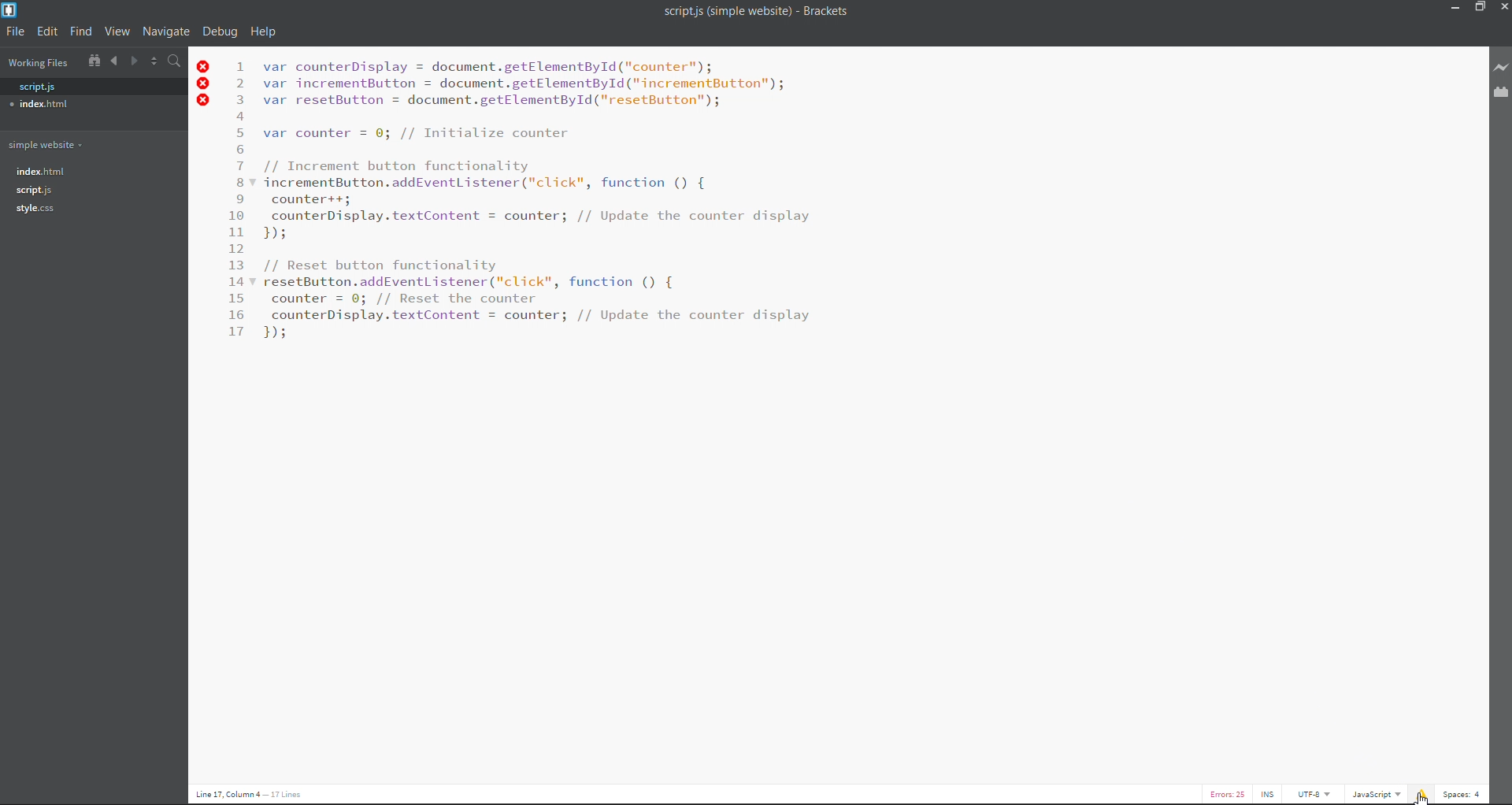  I want to click on search, so click(176, 61).